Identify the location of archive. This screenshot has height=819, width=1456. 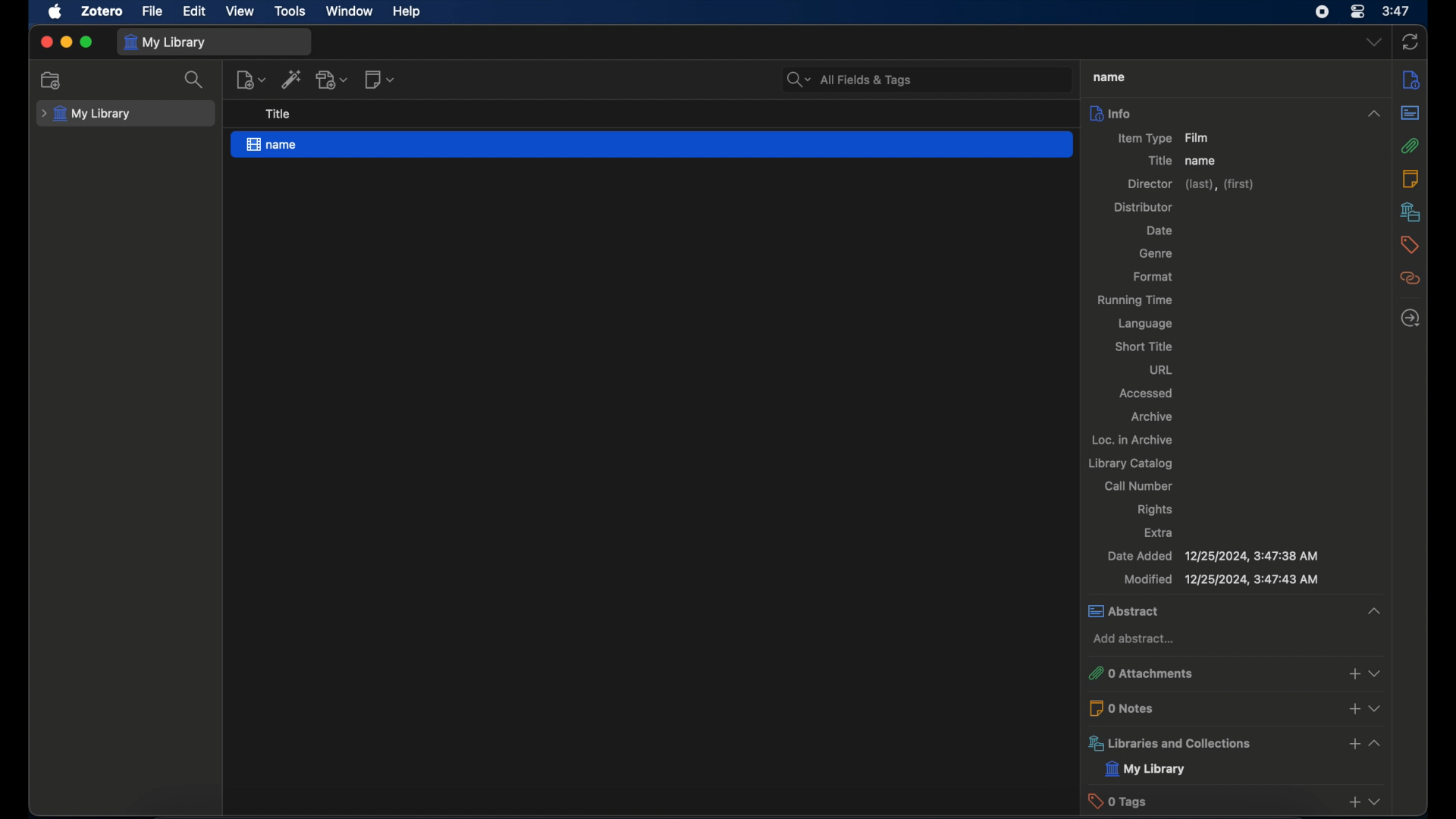
(1151, 416).